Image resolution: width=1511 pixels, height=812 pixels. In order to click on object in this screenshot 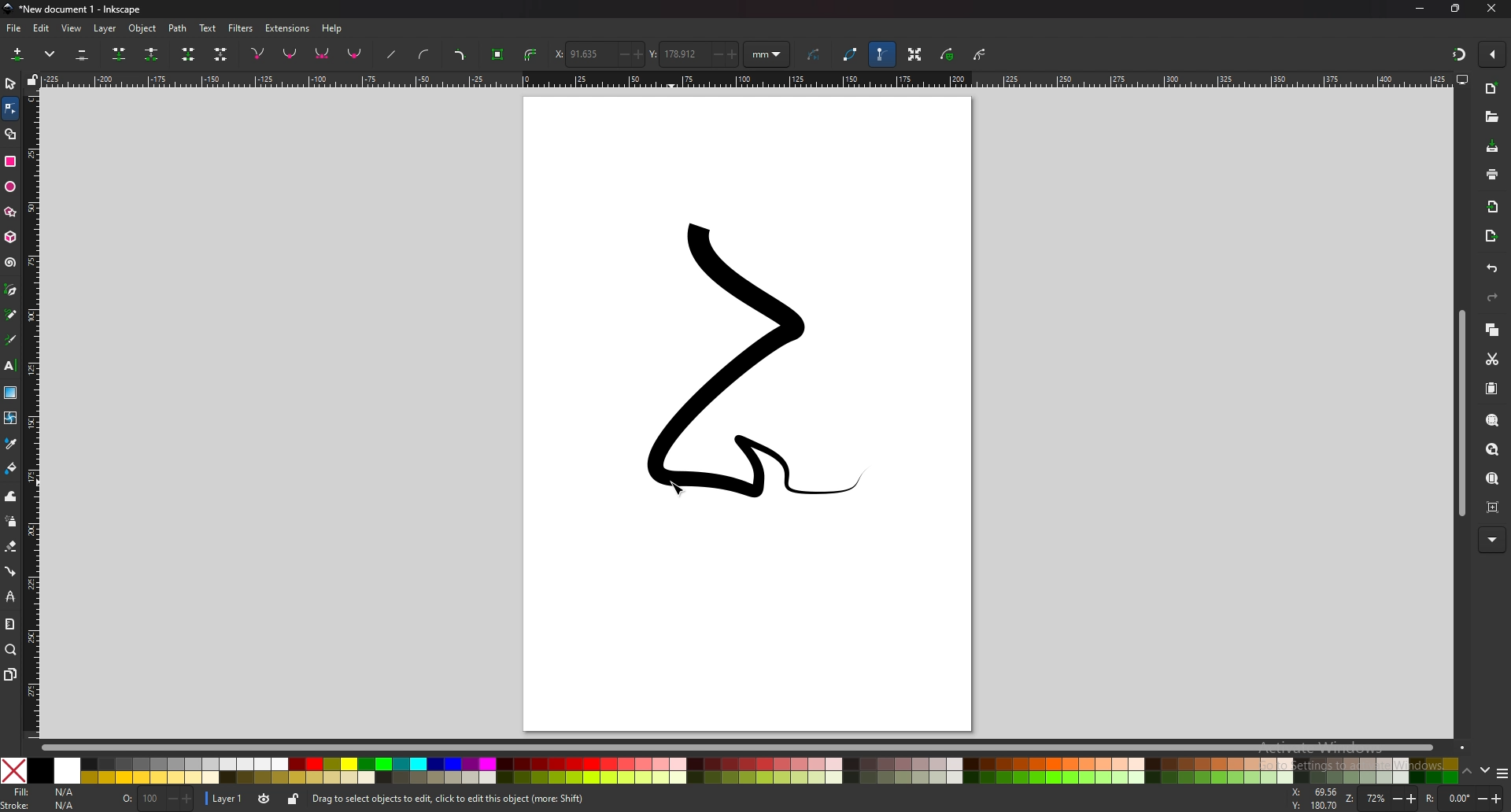, I will do `click(142, 28)`.